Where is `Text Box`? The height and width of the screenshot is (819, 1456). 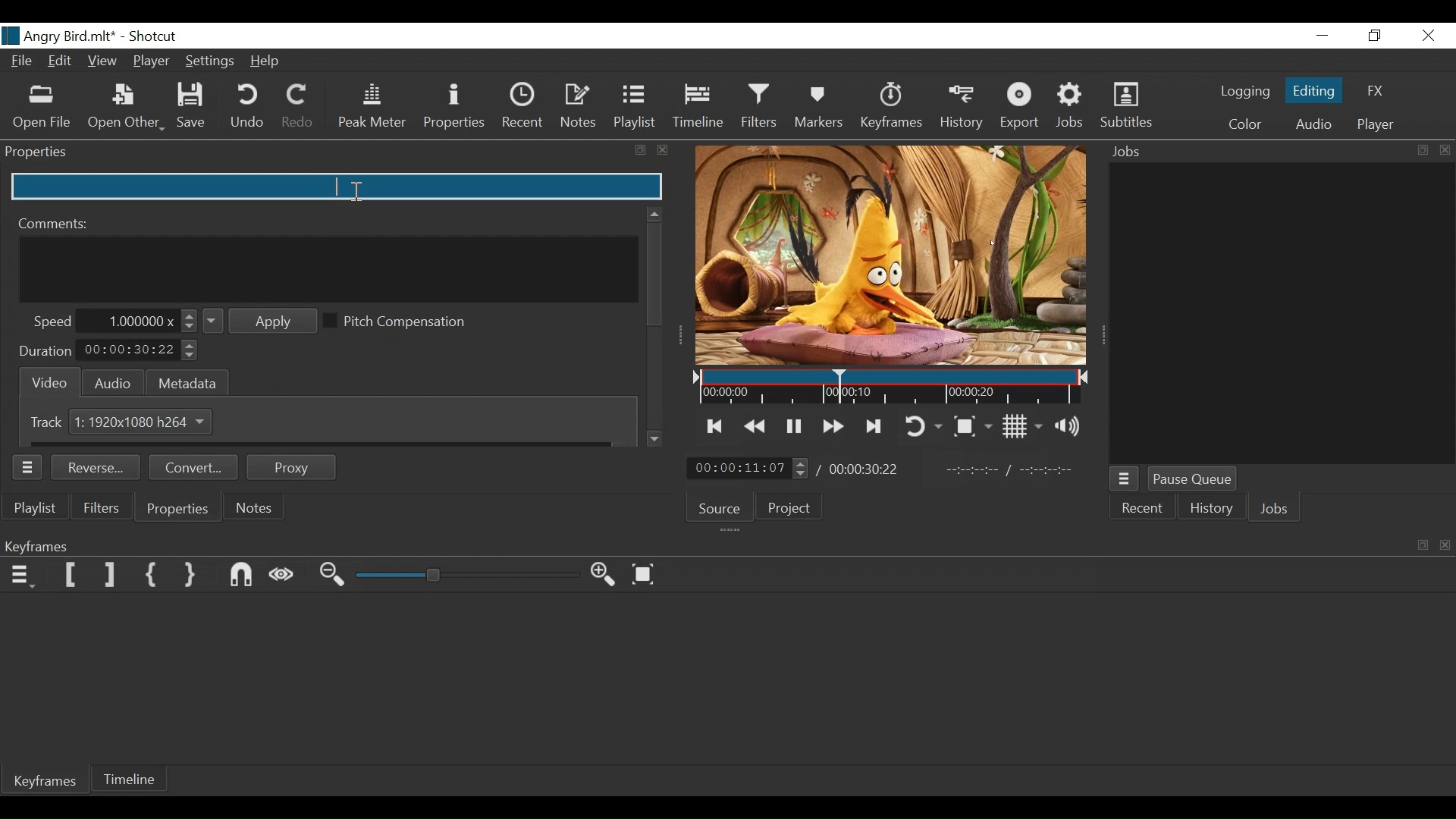 Text Box is located at coordinates (337, 185).